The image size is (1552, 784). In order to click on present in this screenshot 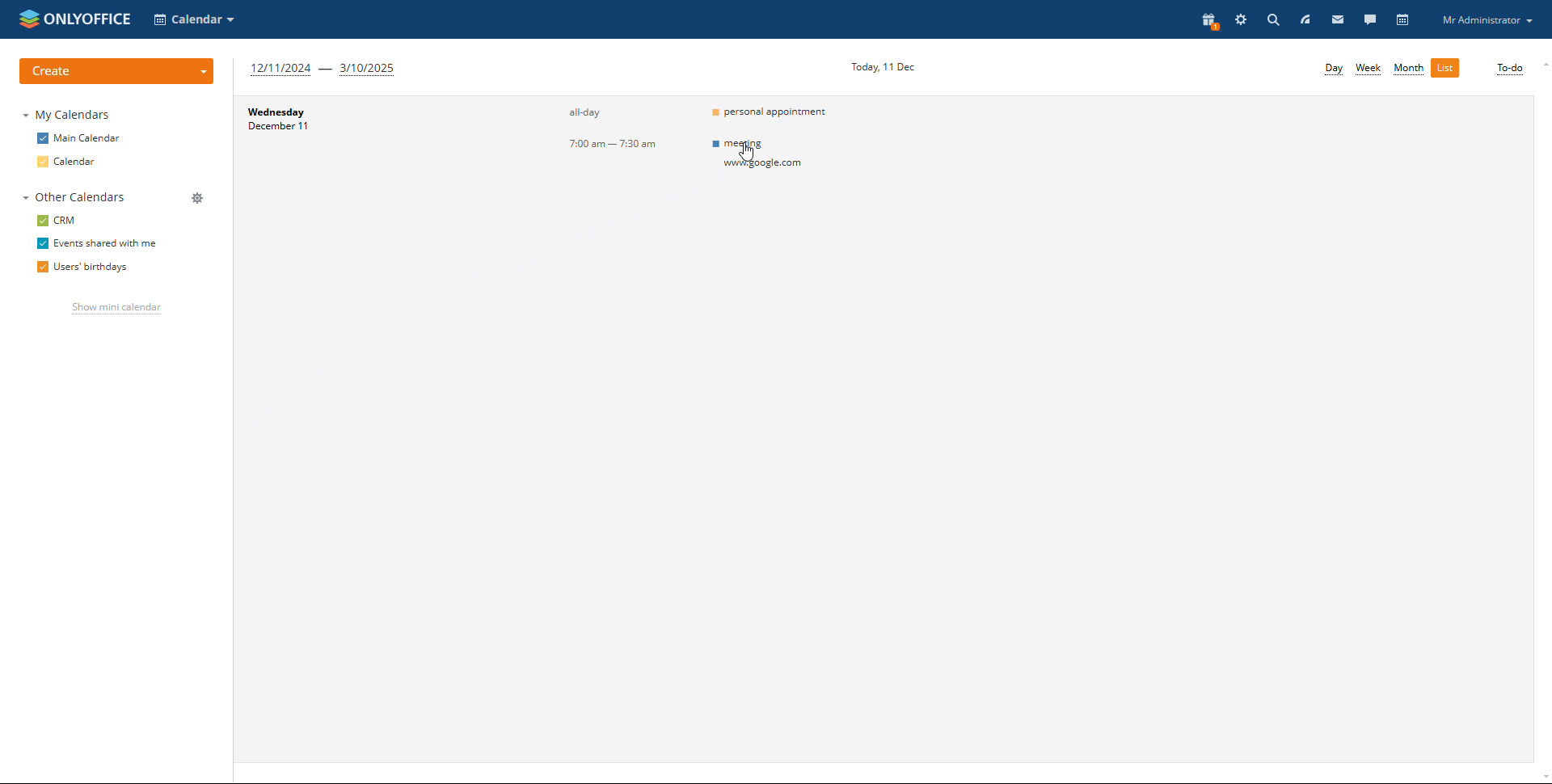, I will do `click(1208, 22)`.